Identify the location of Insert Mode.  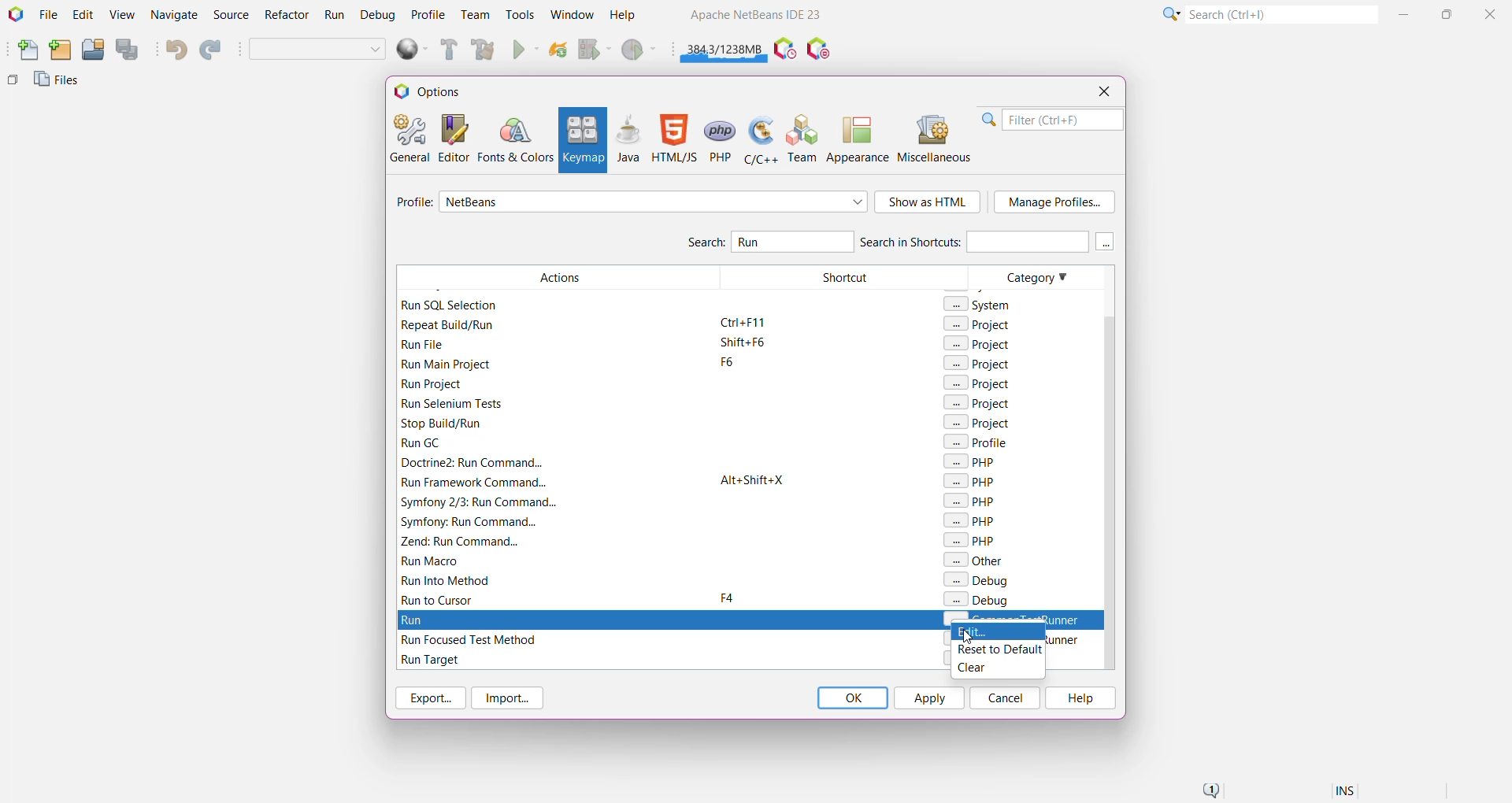
(1347, 793).